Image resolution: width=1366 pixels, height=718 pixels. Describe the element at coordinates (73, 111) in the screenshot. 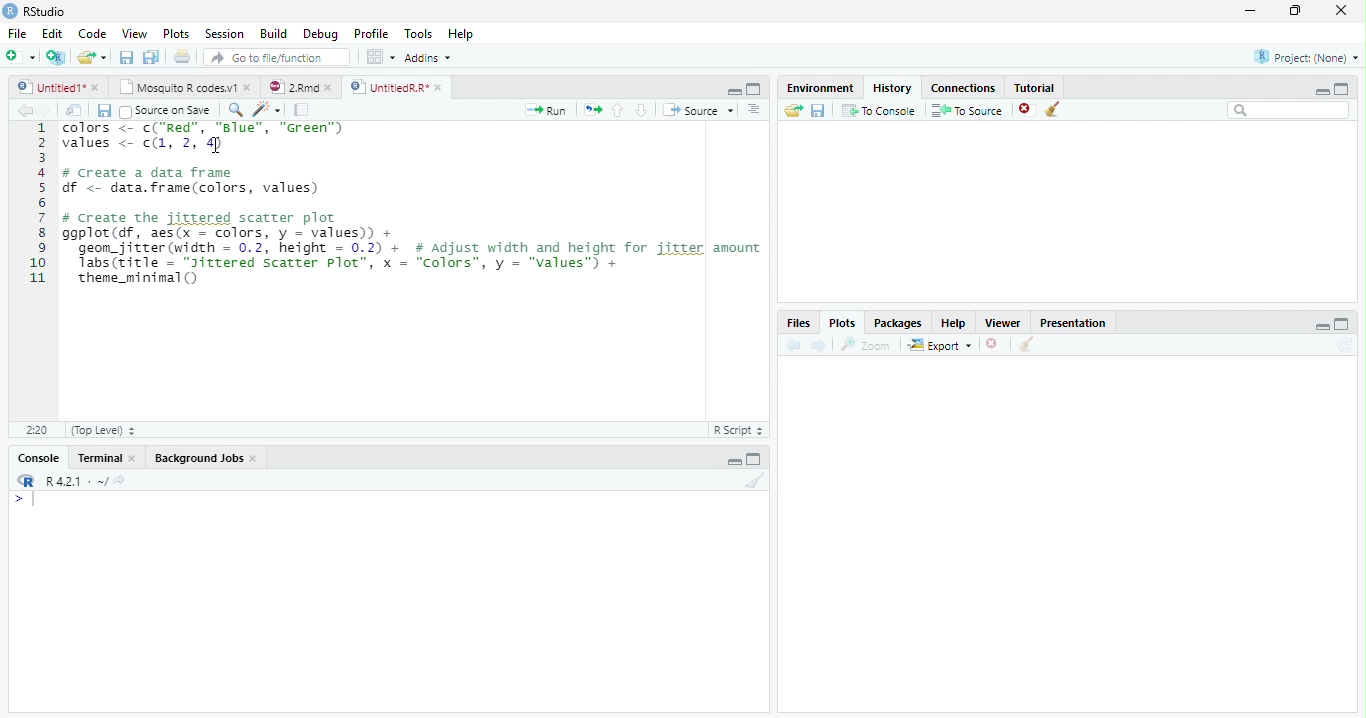

I see `Show in new window` at that location.